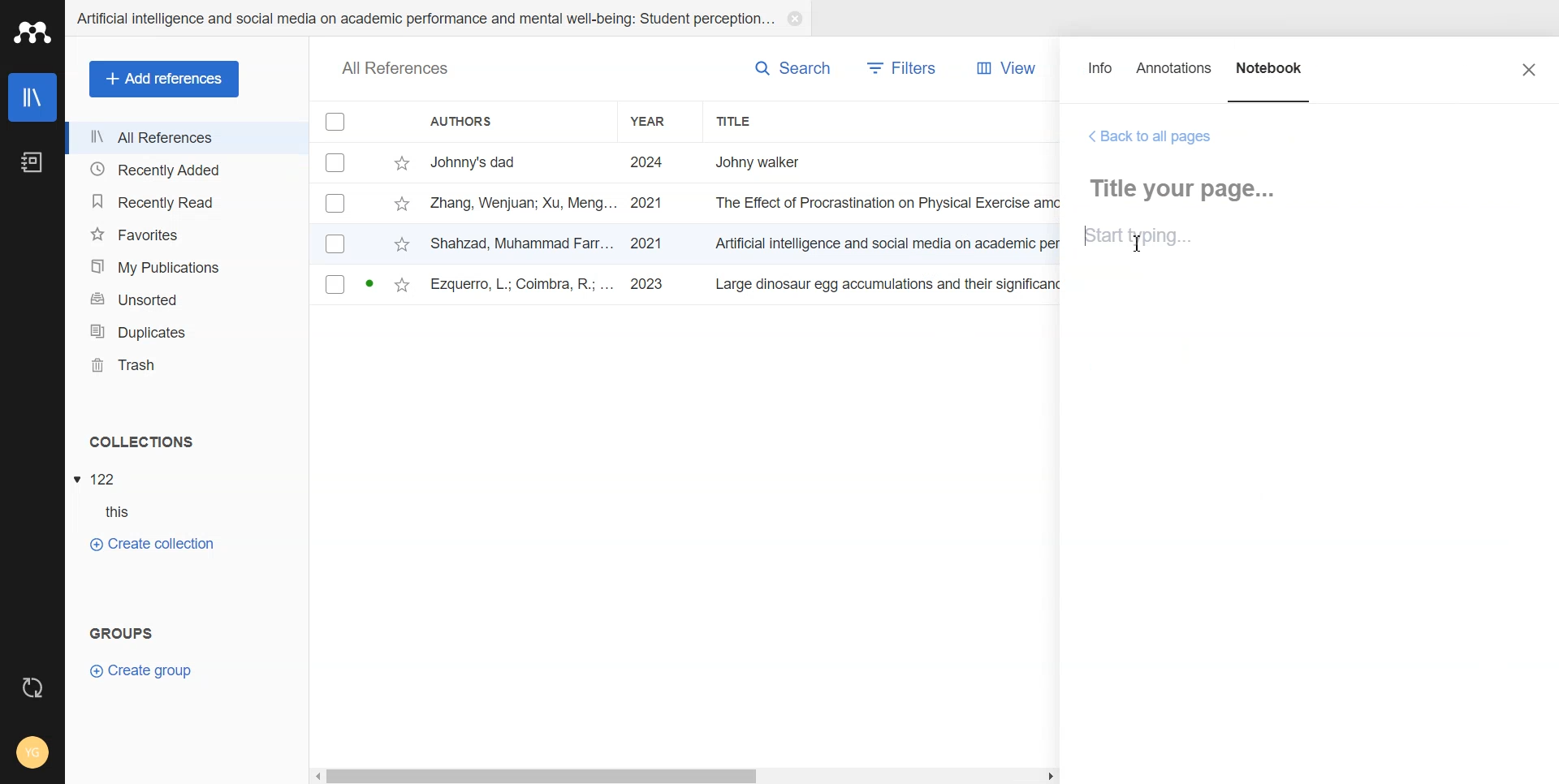 This screenshot has height=784, width=1559. I want to click on Library, so click(34, 97).